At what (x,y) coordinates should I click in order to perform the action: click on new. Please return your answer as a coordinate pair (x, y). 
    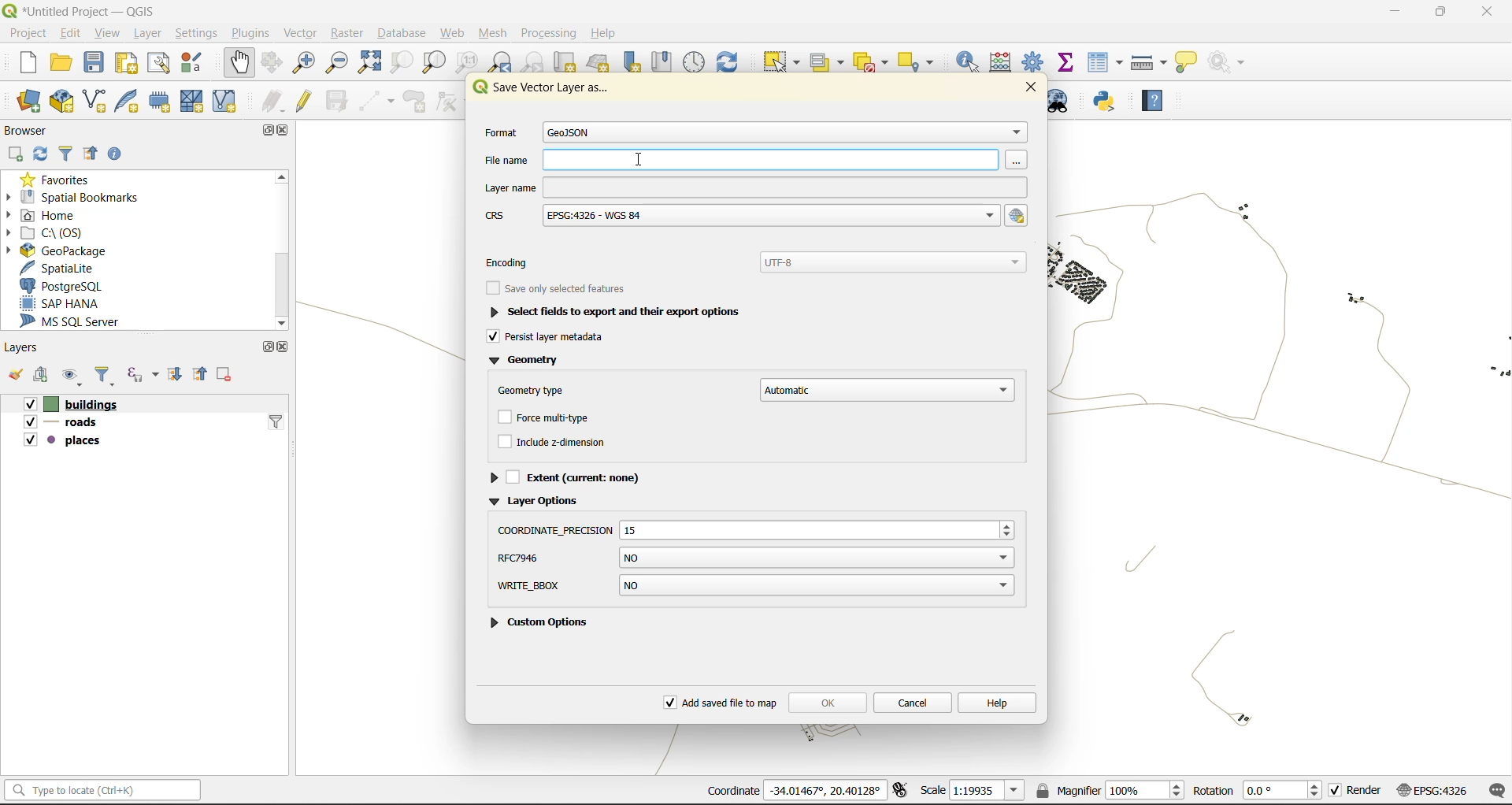
    Looking at the image, I should click on (28, 63).